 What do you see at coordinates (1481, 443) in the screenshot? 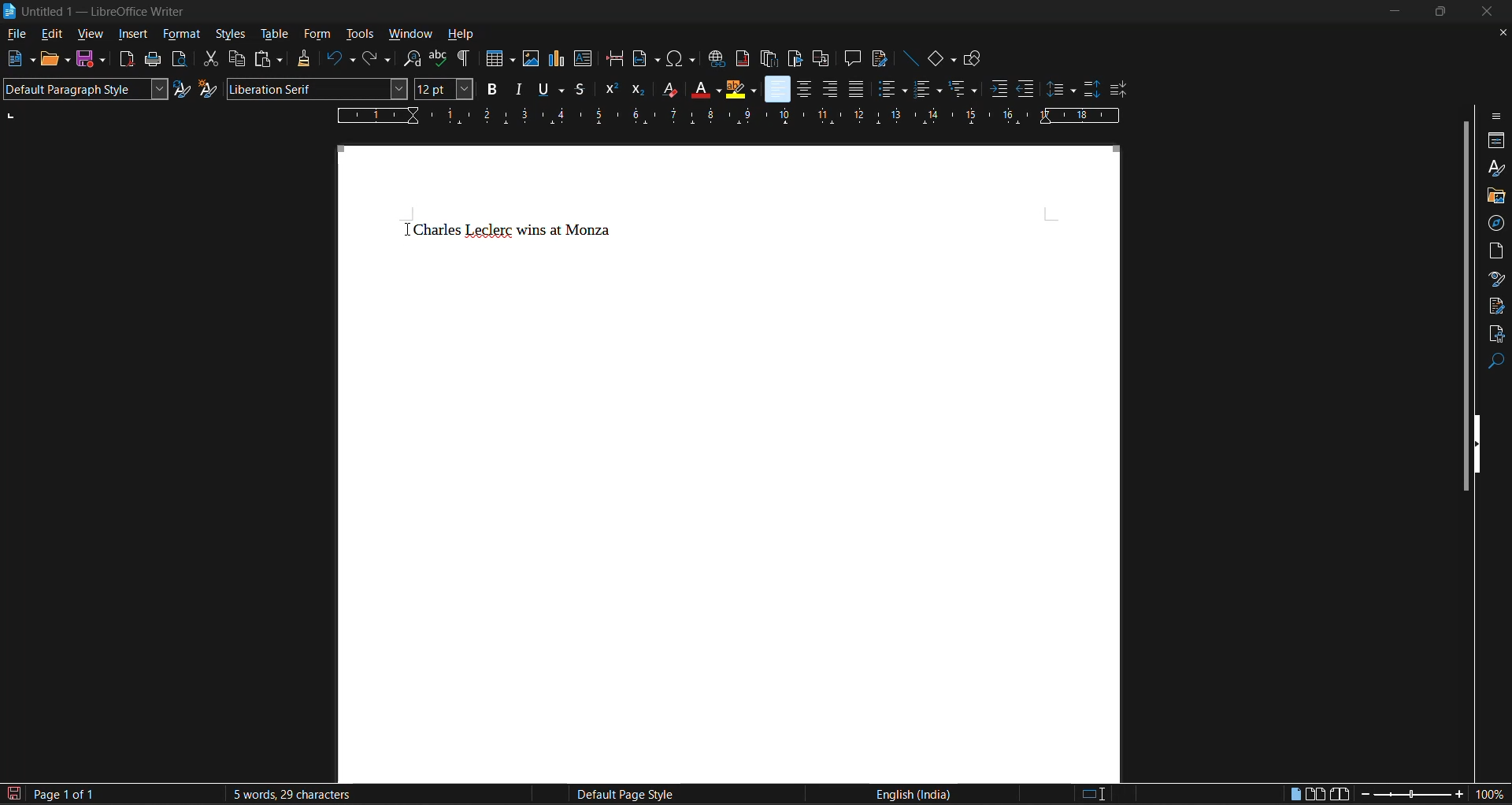
I see `hide` at bounding box center [1481, 443].